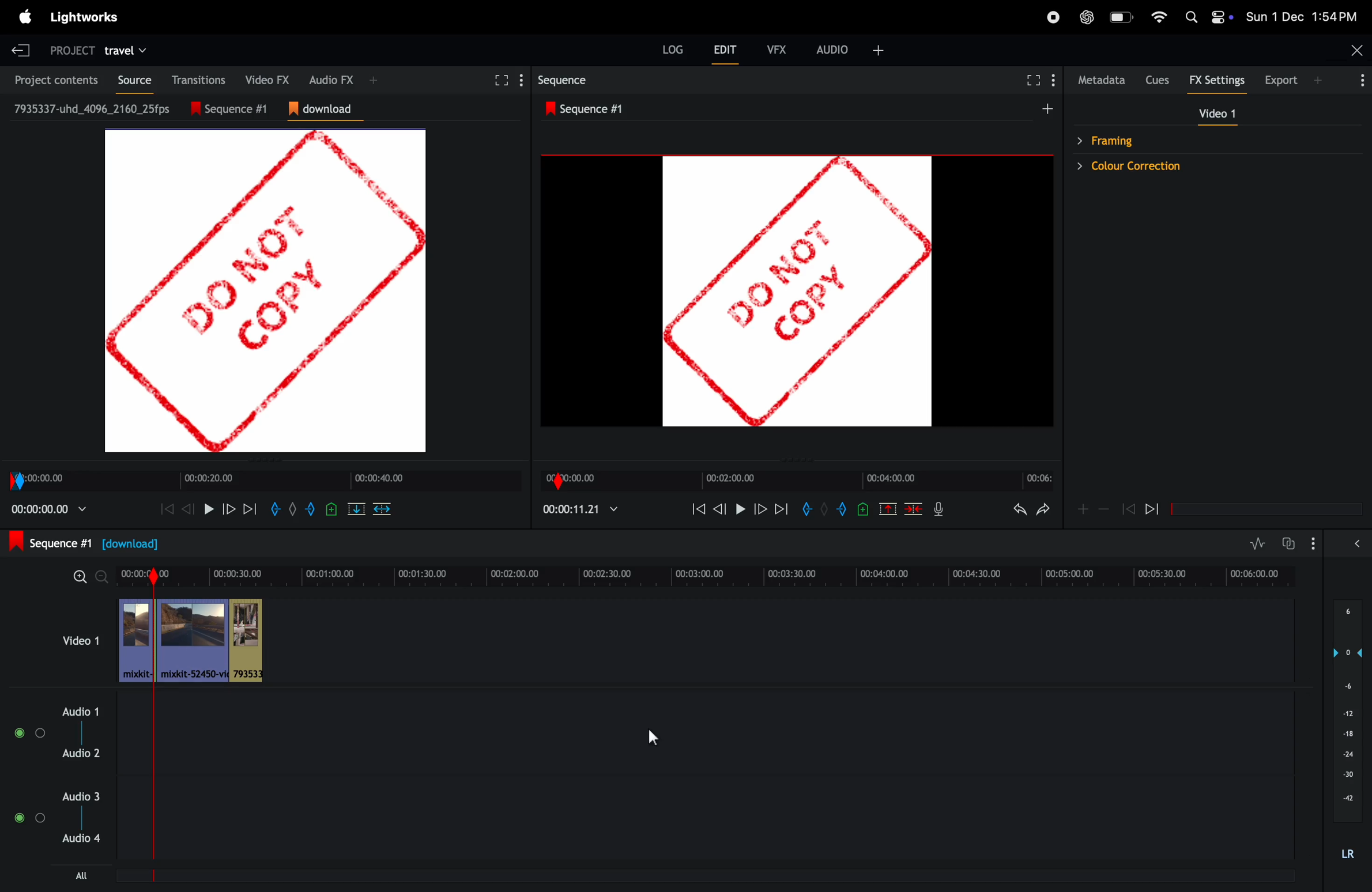 This screenshot has height=892, width=1372. What do you see at coordinates (879, 51) in the screenshot?
I see `Add` at bounding box center [879, 51].